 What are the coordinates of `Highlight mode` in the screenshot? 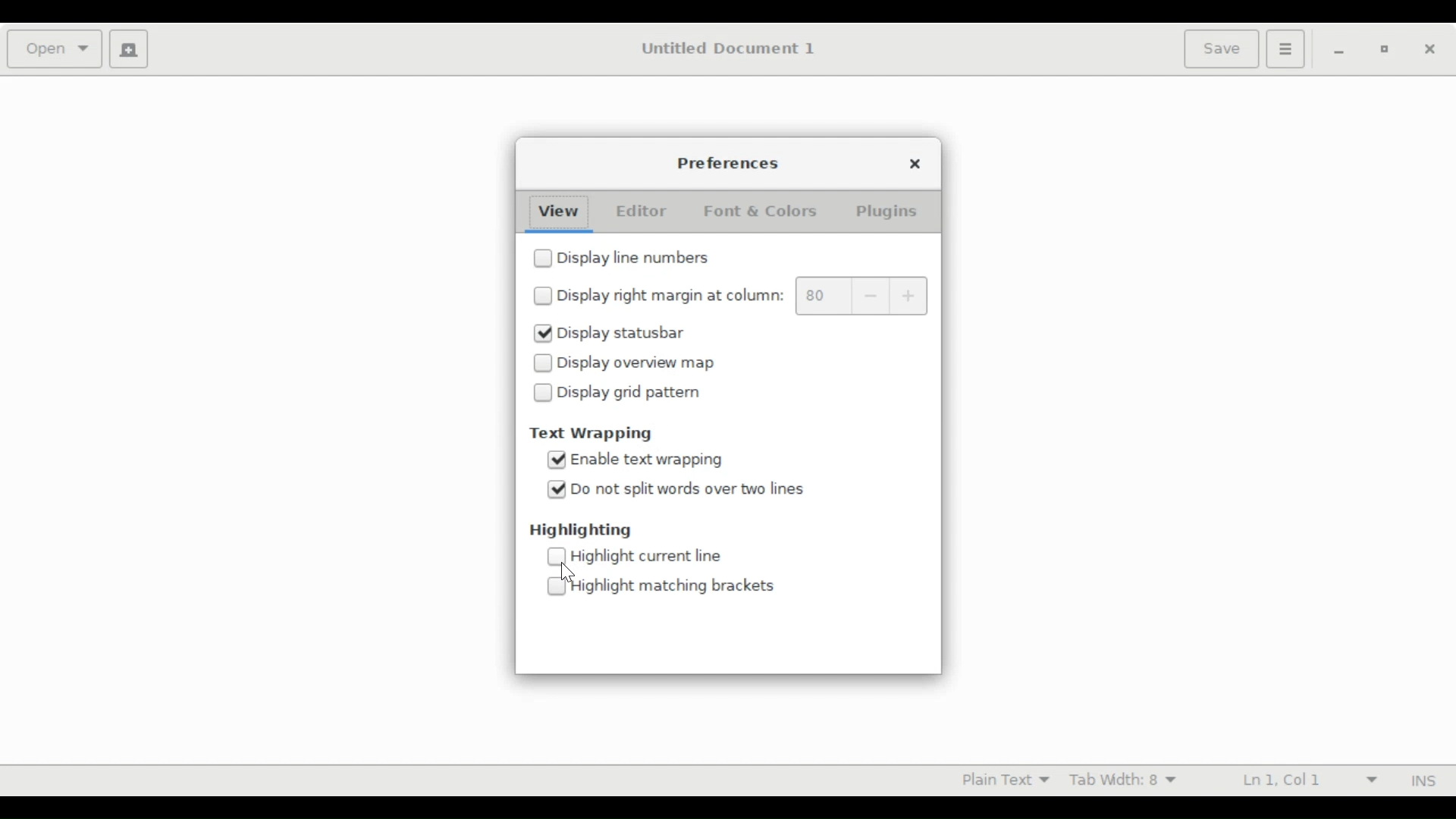 It's located at (1002, 779).